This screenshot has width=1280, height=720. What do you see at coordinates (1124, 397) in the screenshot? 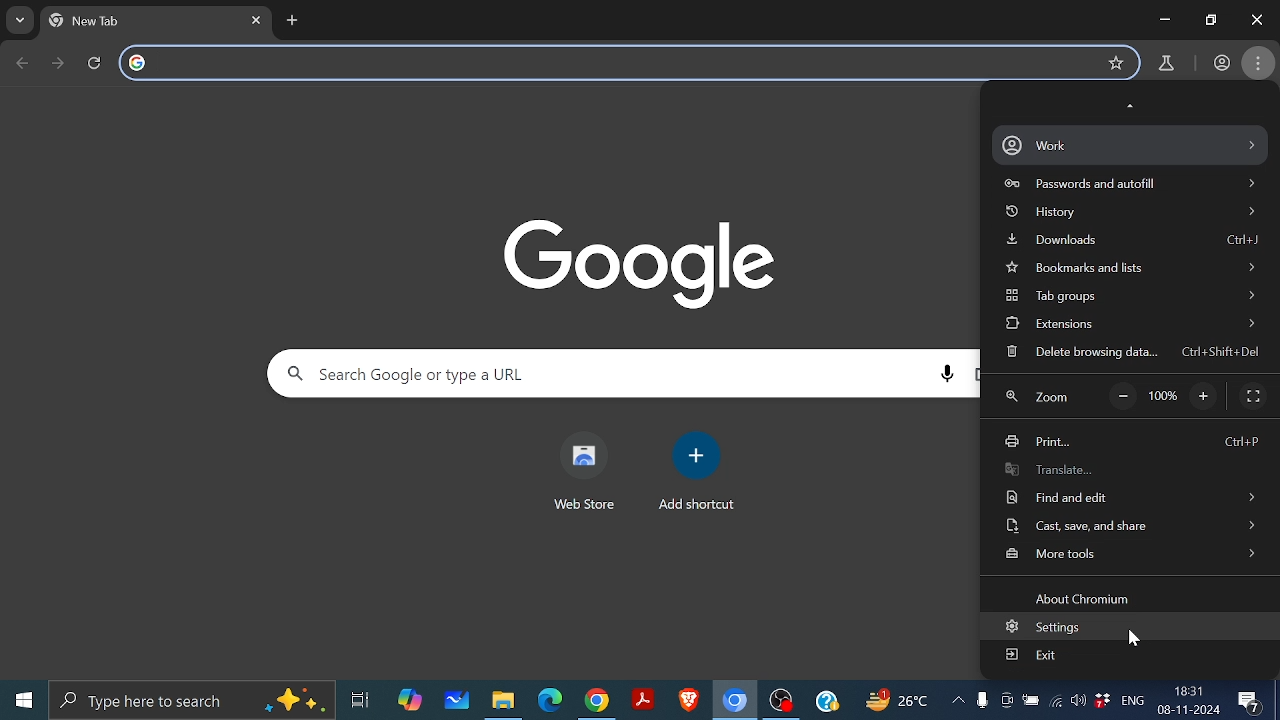
I see `Zoom out` at bounding box center [1124, 397].